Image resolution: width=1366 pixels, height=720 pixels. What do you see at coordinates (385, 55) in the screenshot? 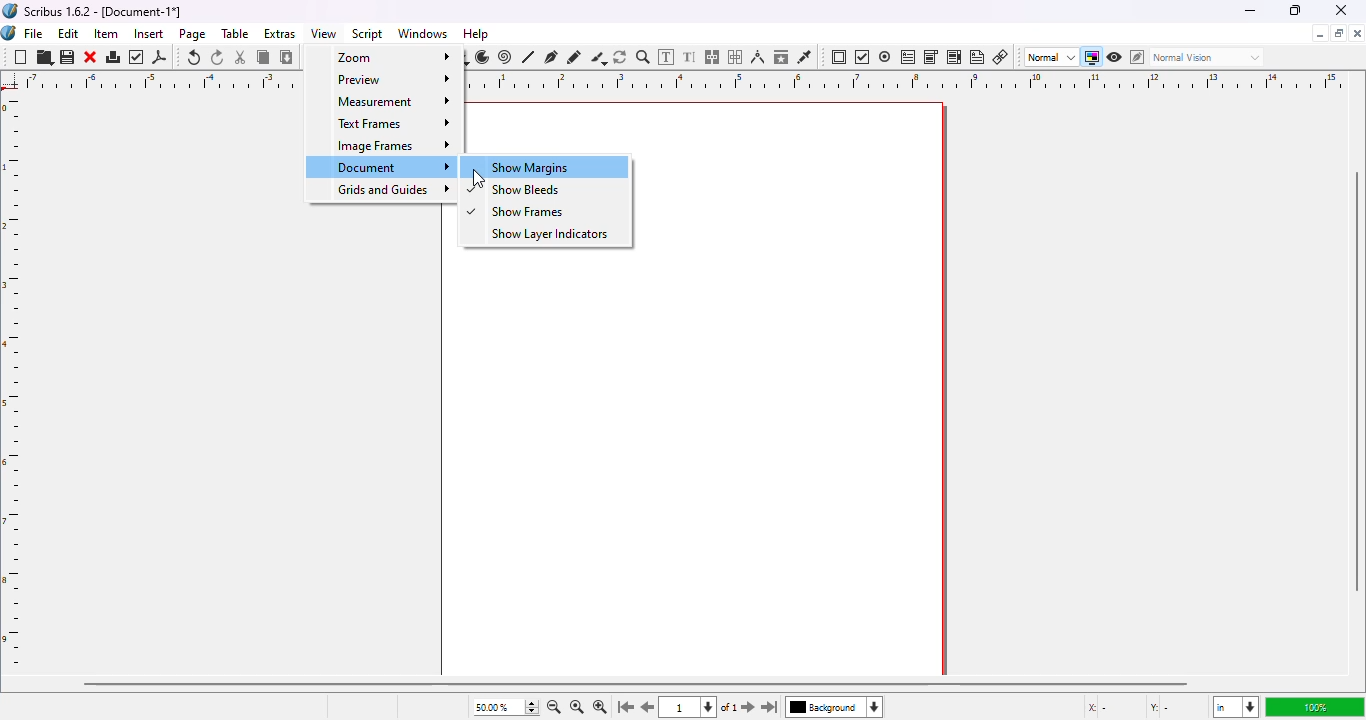
I see `zoom` at bounding box center [385, 55].